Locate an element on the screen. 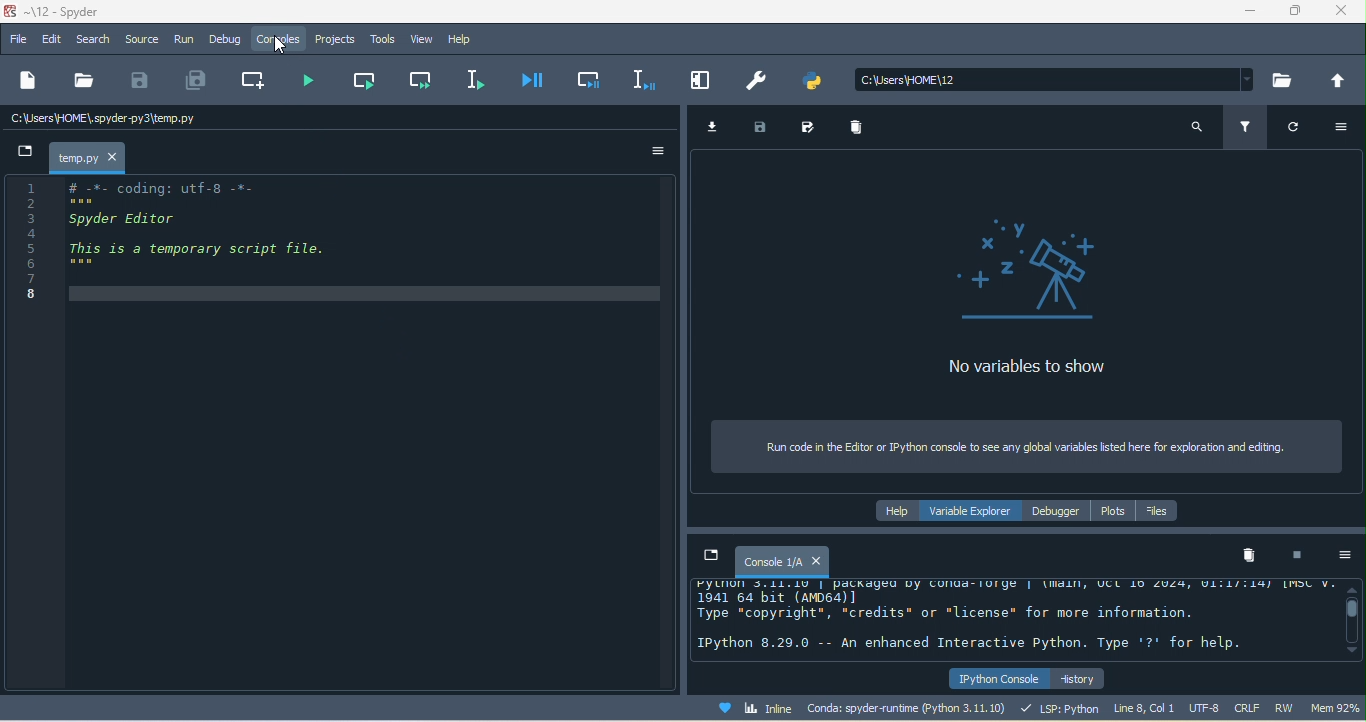  variable explorer is located at coordinates (975, 512).